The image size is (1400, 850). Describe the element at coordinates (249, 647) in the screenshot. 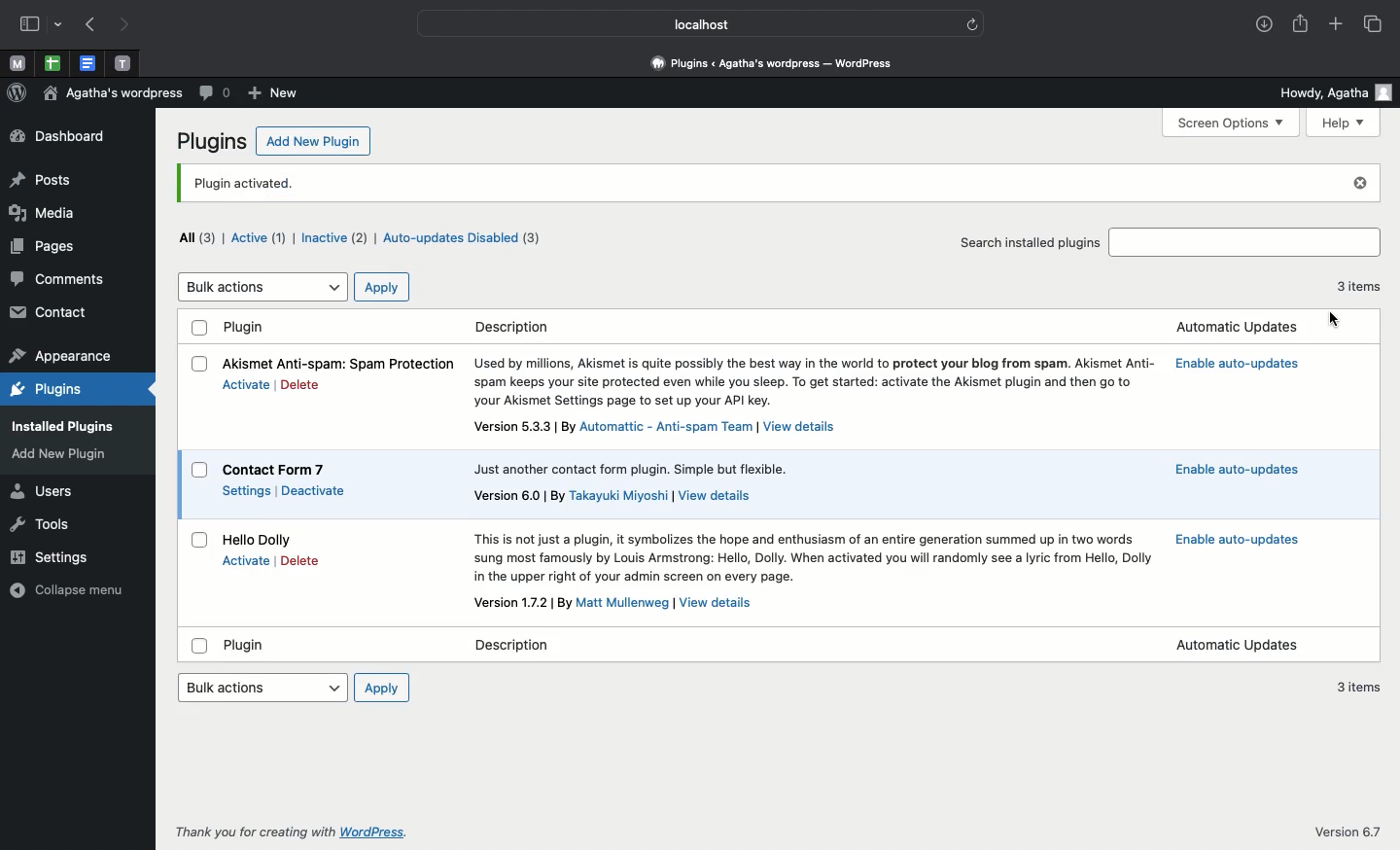

I see `Plugin` at that location.